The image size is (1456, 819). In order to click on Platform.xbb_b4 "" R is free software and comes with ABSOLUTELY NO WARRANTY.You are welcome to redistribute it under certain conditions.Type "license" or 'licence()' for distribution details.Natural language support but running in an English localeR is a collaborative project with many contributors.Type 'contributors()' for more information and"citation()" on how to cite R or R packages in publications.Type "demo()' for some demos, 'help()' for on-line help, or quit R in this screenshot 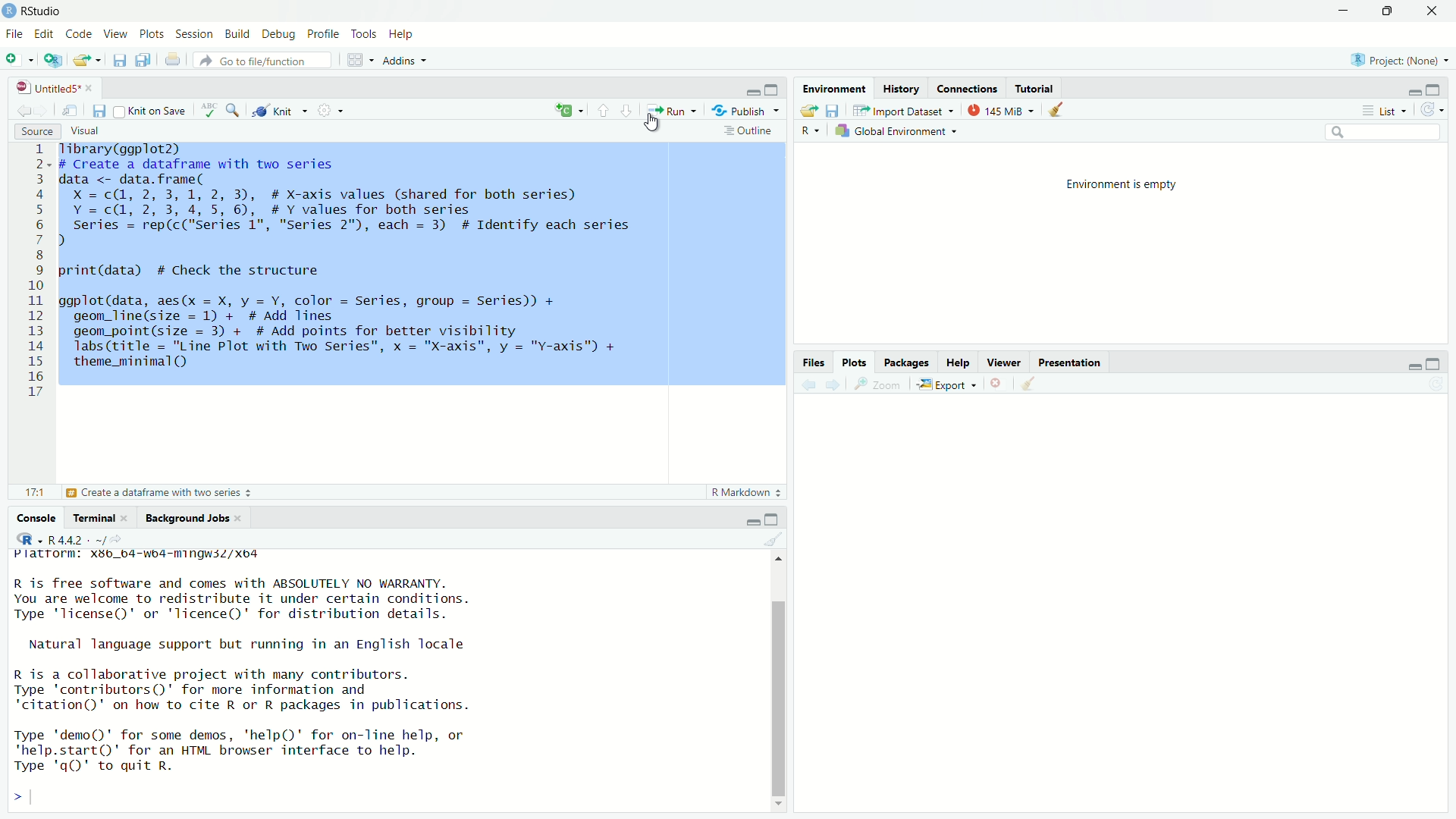, I will do `click(262, 661)`.